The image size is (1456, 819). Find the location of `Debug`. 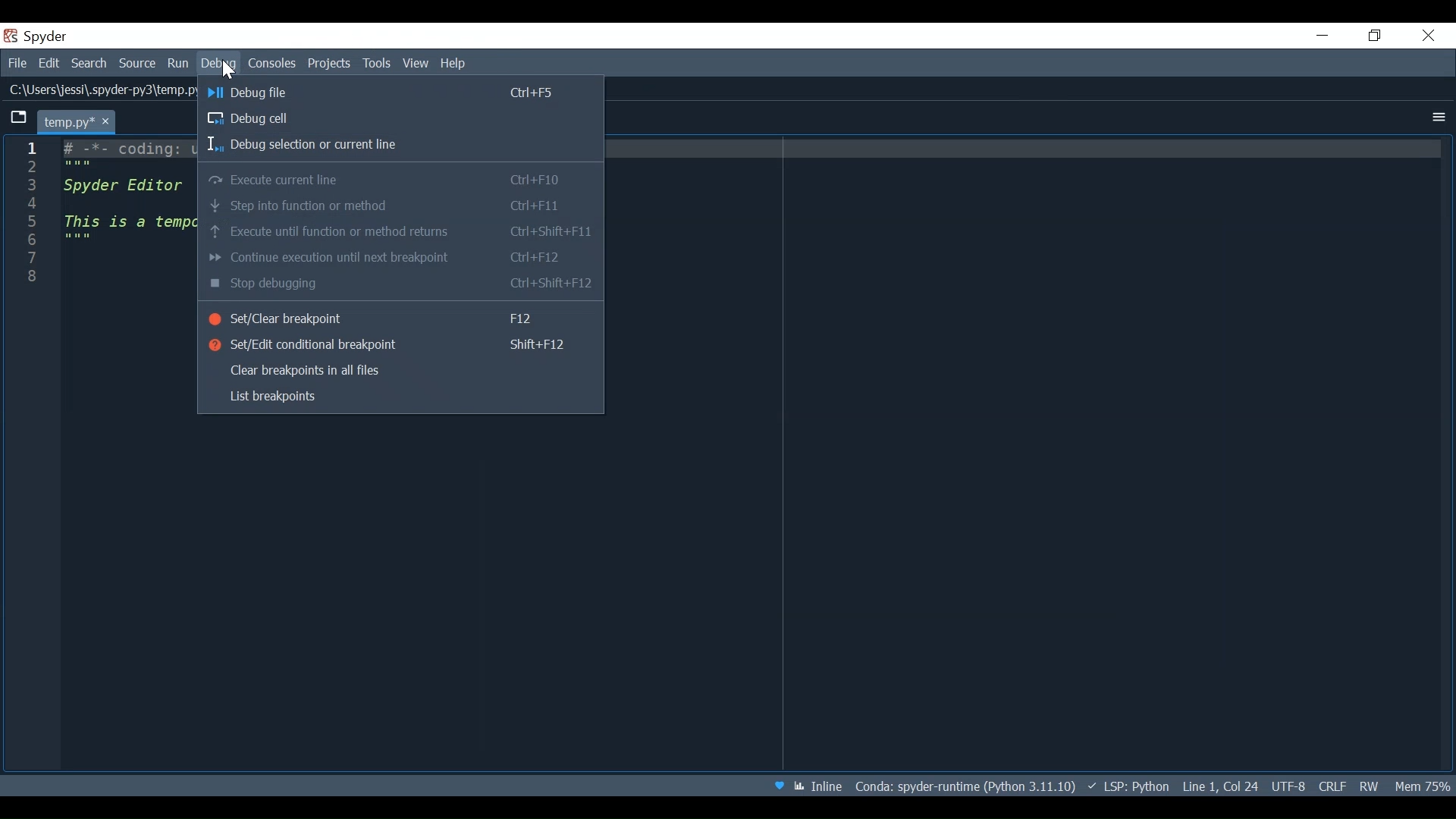

Debug is located at coordinates (218, 64).